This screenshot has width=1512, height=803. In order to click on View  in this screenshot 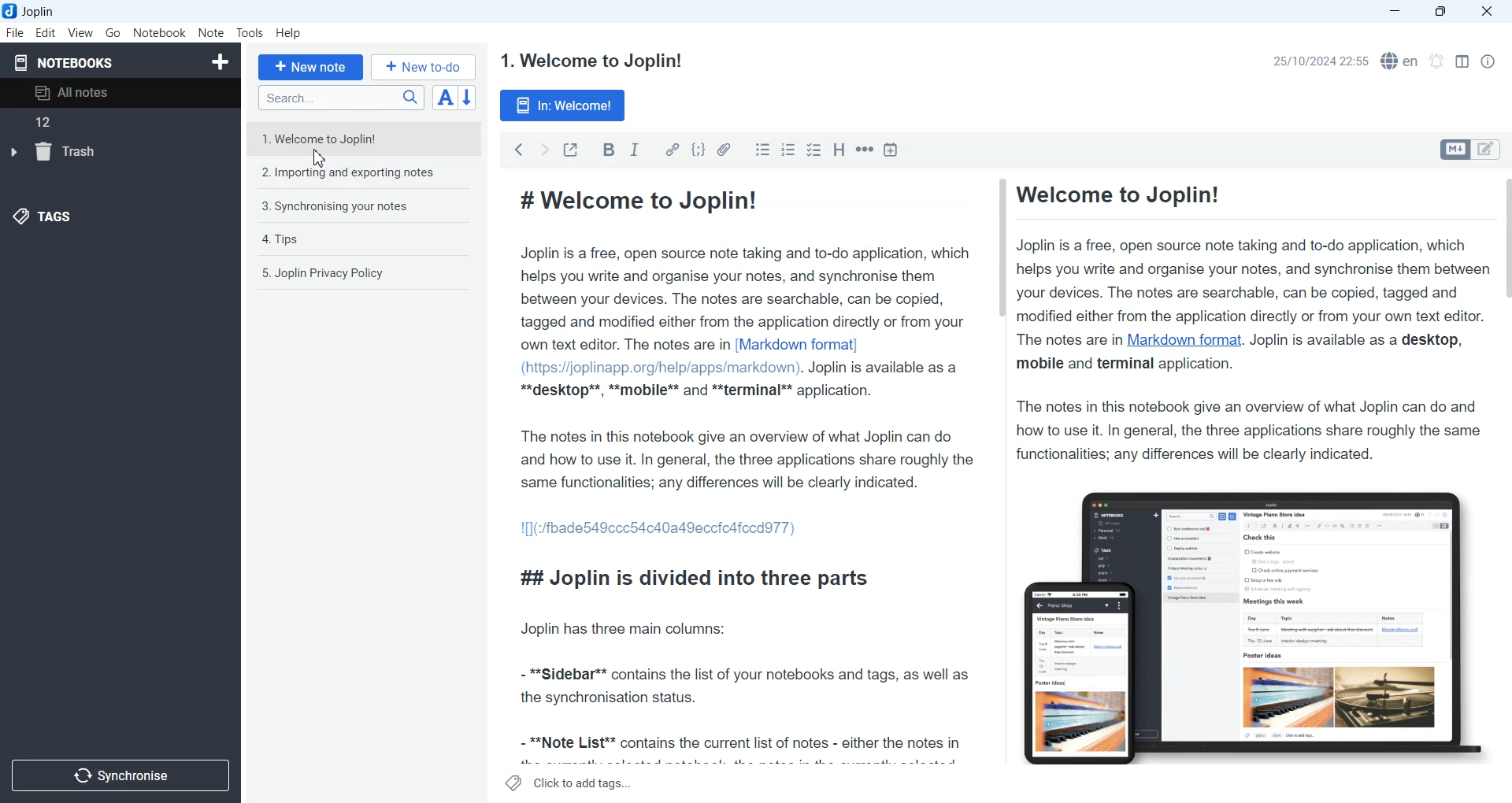, I will do `click(80, 32)`.